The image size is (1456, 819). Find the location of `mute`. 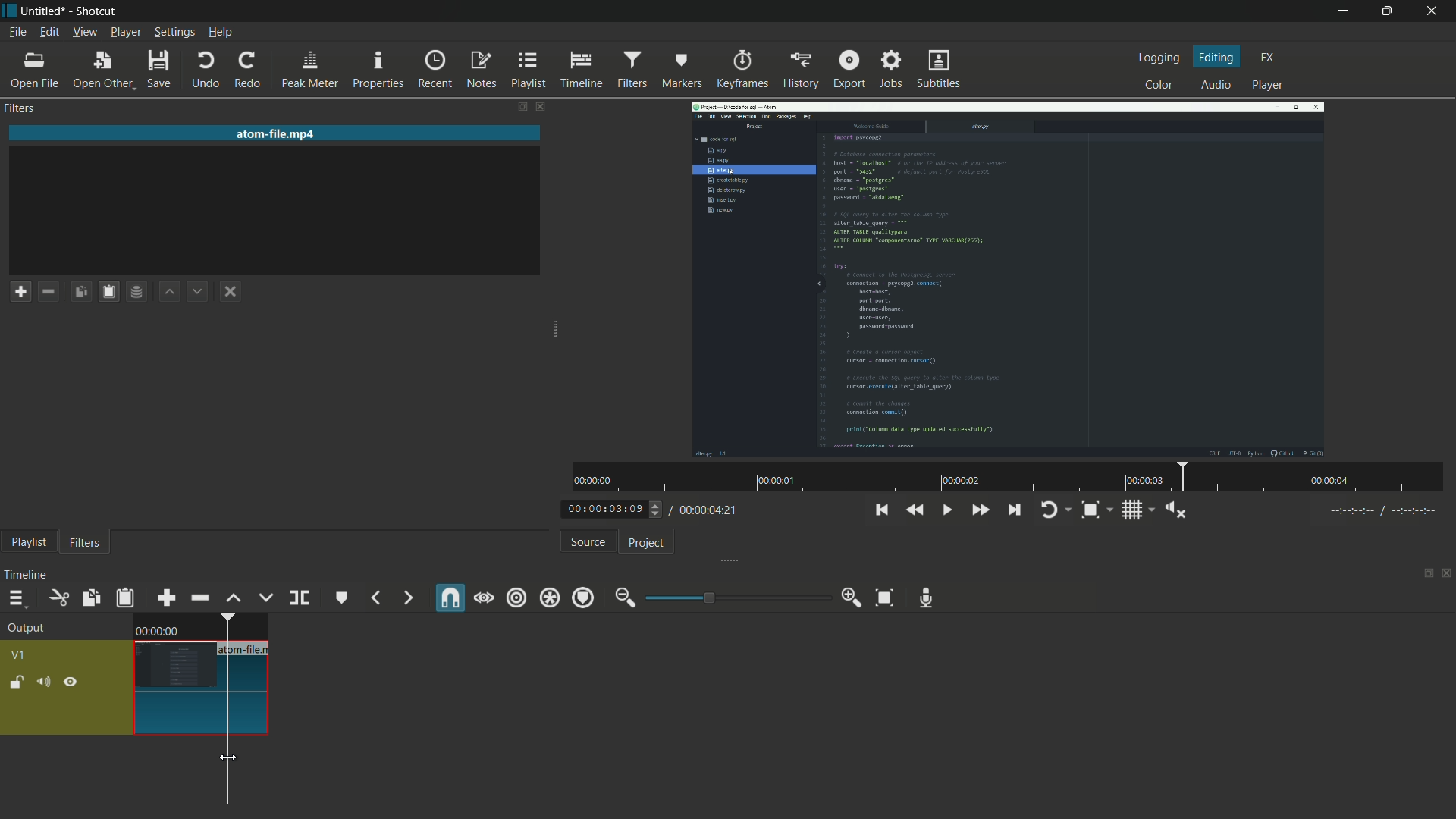

mute is located at coordinates (43, 682).